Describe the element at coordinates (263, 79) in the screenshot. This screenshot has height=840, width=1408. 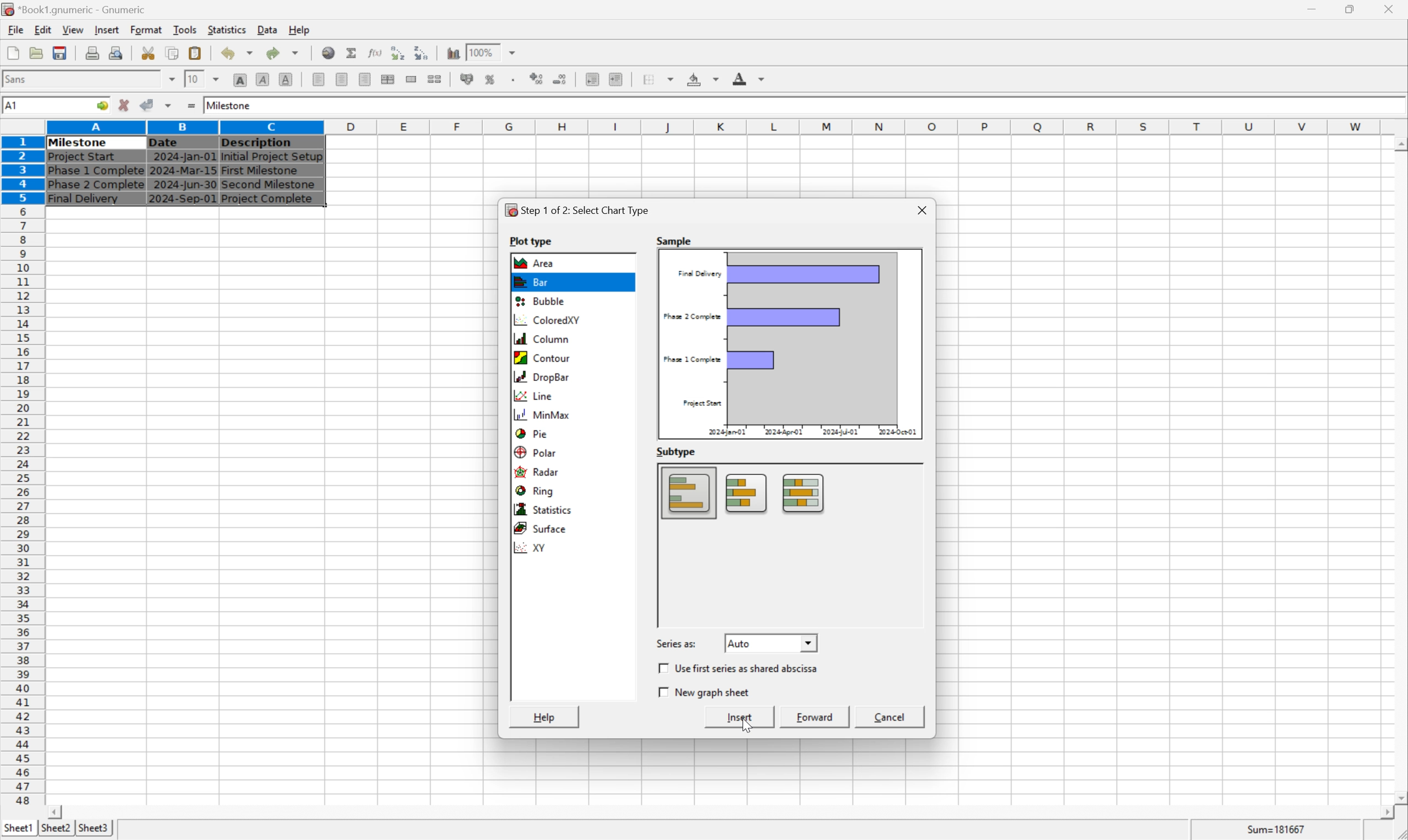
I see `italic` at that location.